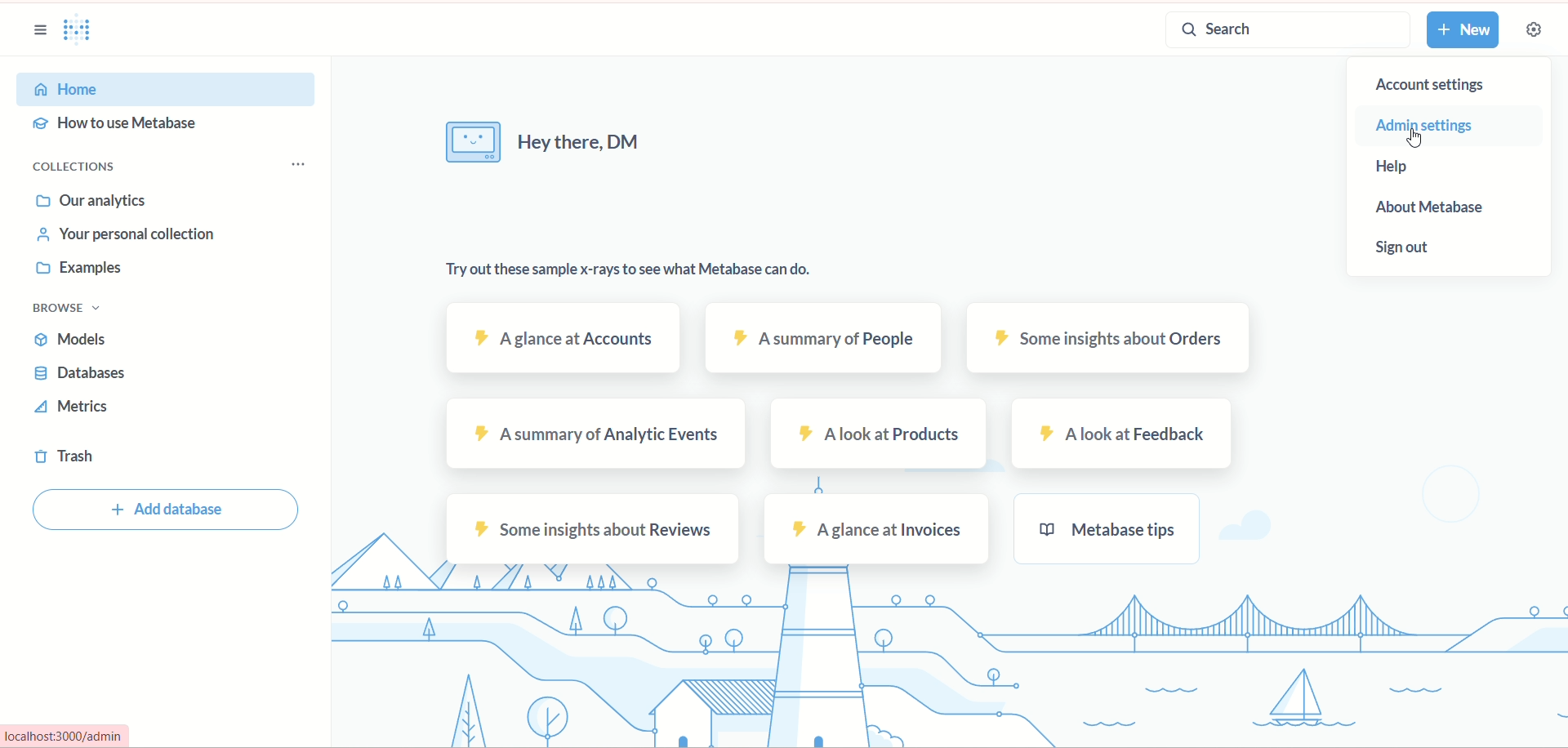 Image resolution: width=1568 pixels, height=748 pixels. I want to click on help, so click(1409, 168).